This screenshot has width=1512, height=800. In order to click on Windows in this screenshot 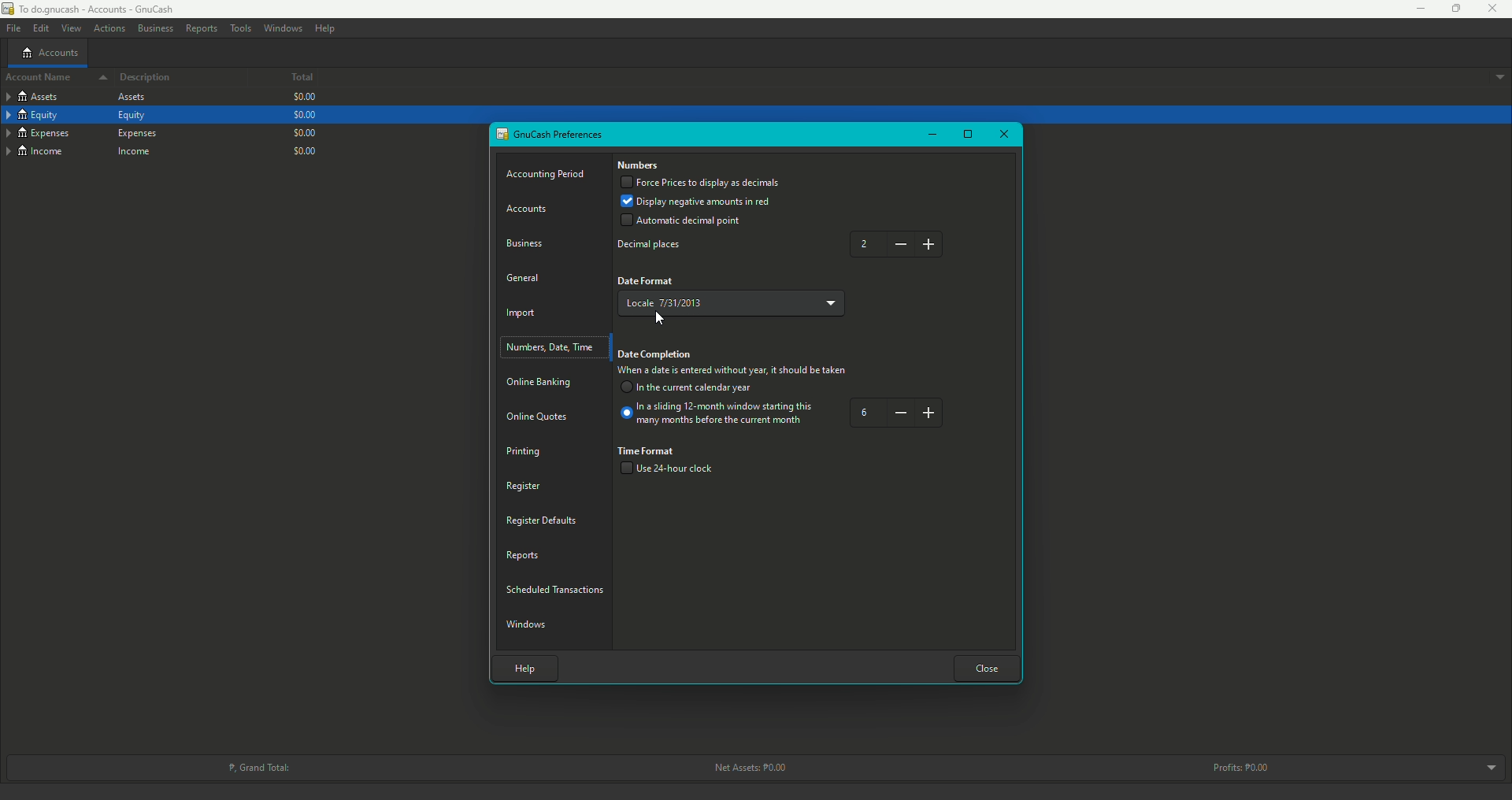, I will do `click(529, 623)`.